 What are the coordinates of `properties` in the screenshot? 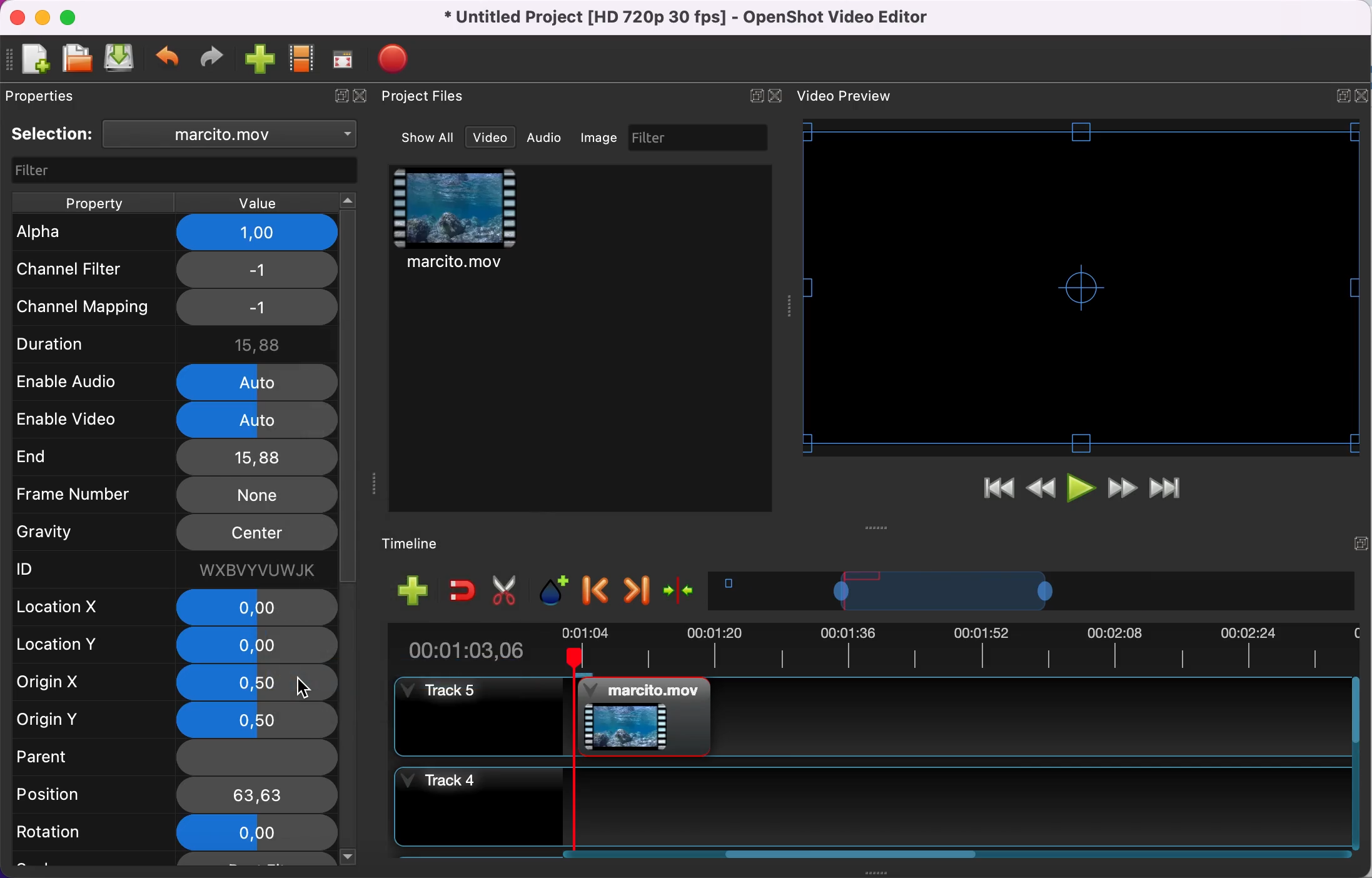 It's located at (46, 96).